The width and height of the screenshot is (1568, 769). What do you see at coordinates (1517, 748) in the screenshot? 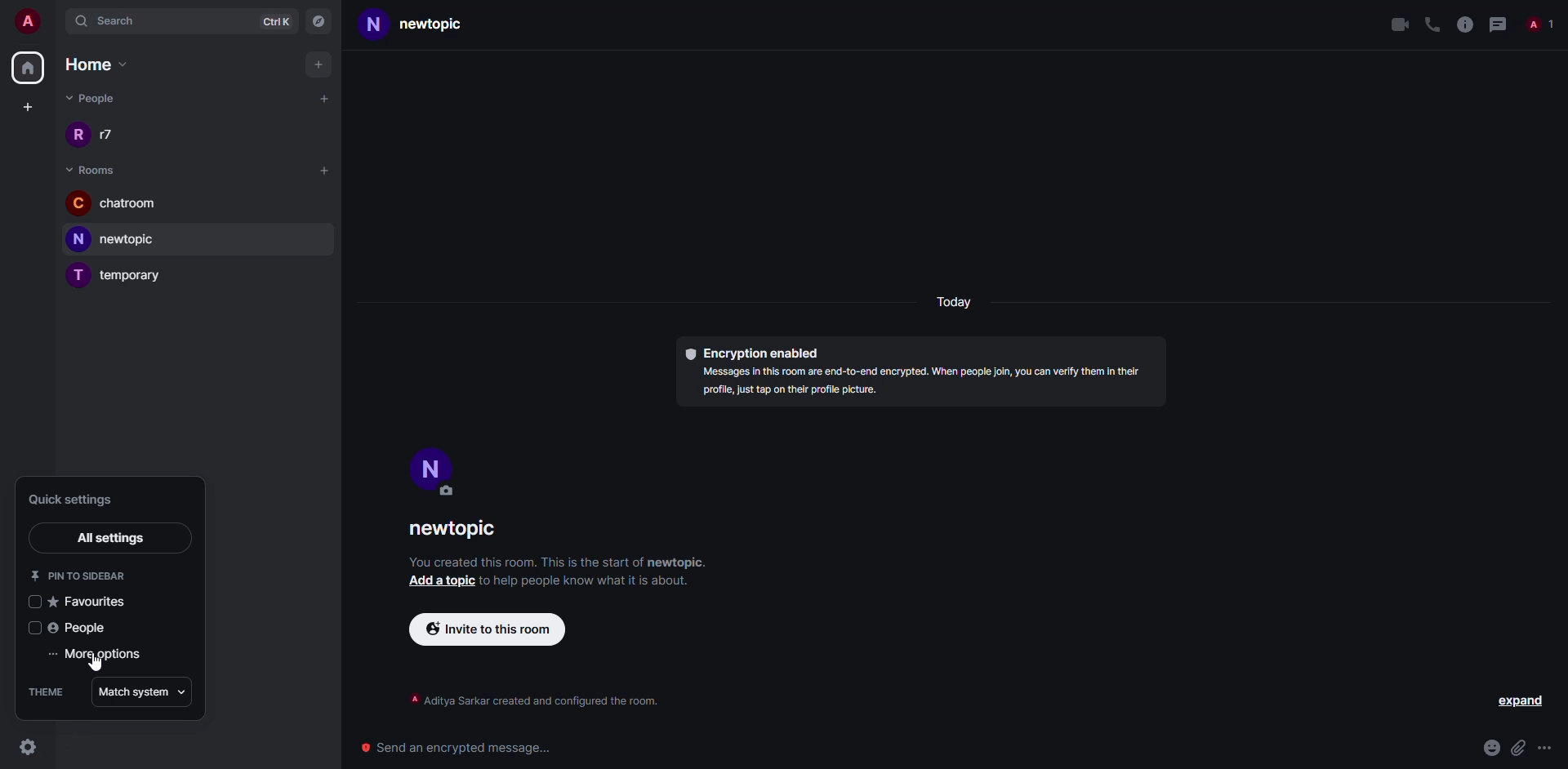
I see `attach` at bounding box center [1517, 748].